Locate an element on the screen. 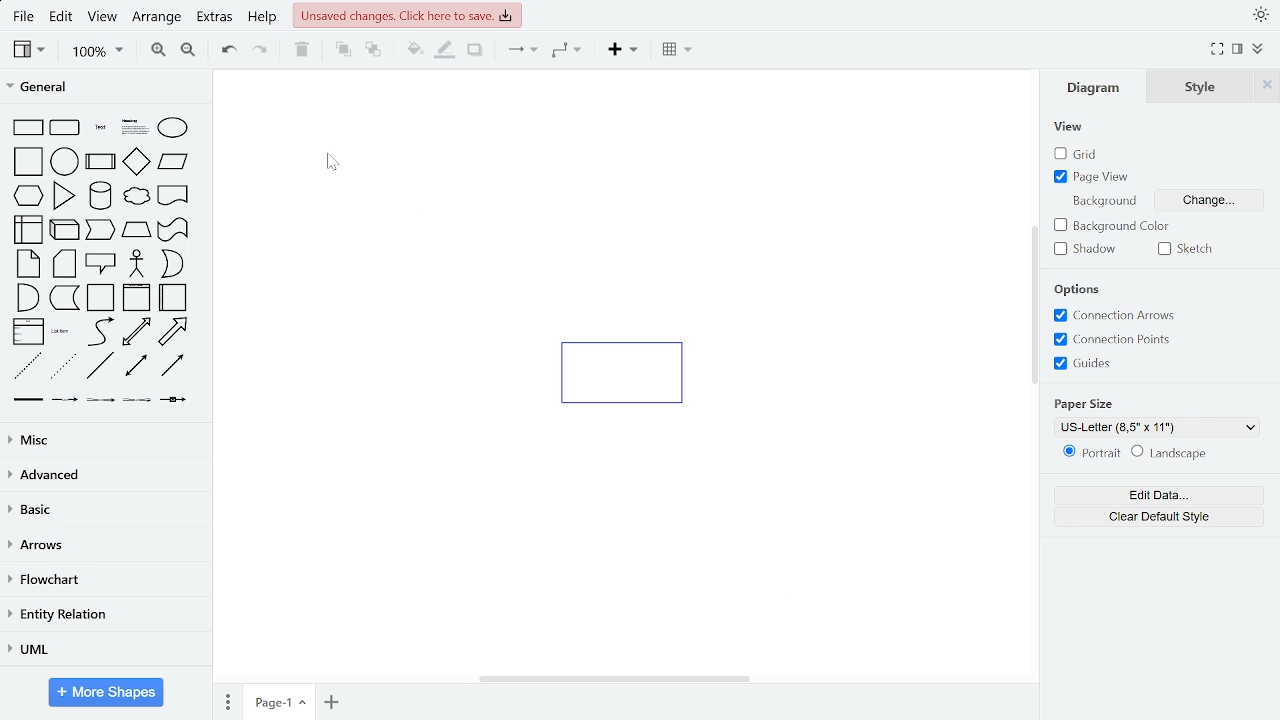 This screenshot has height=720, width=1280. pages is located at coordinates (227, 701).